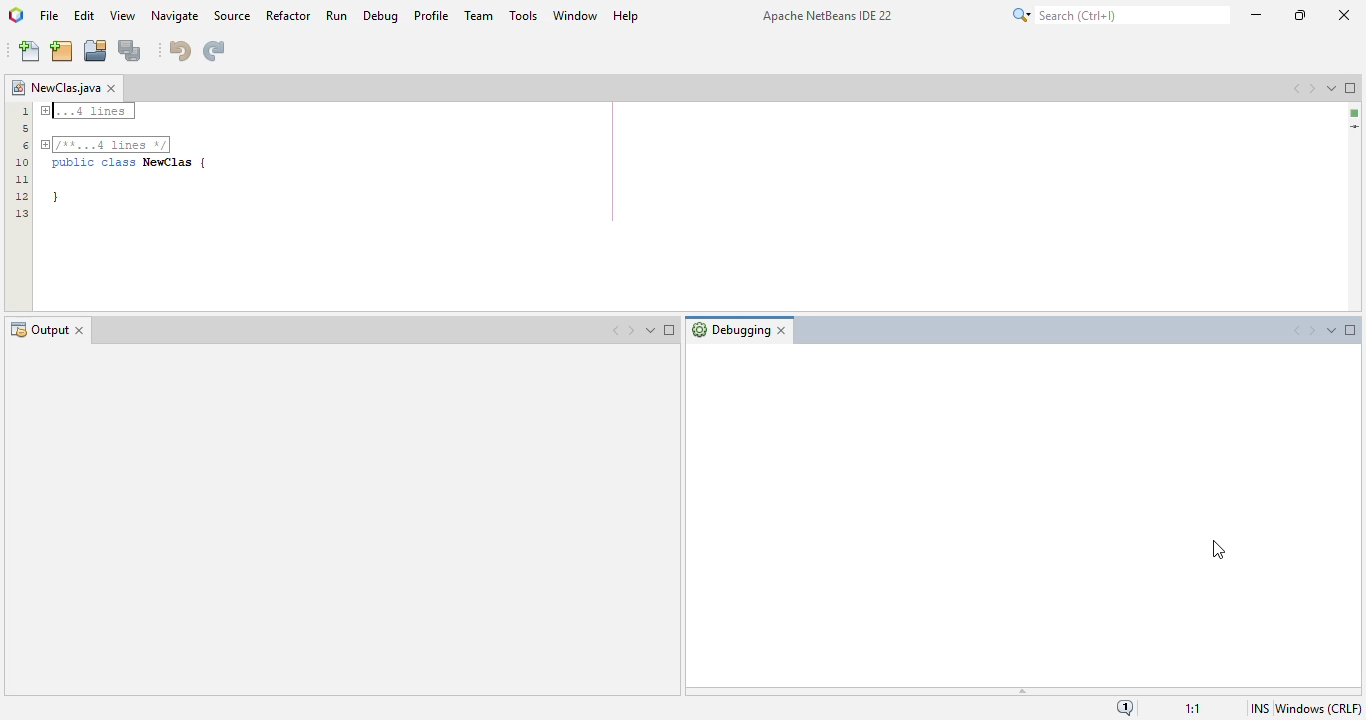 This screenshot has width=1366, height=720. I want to click on Cursor, so click(1223, 538).